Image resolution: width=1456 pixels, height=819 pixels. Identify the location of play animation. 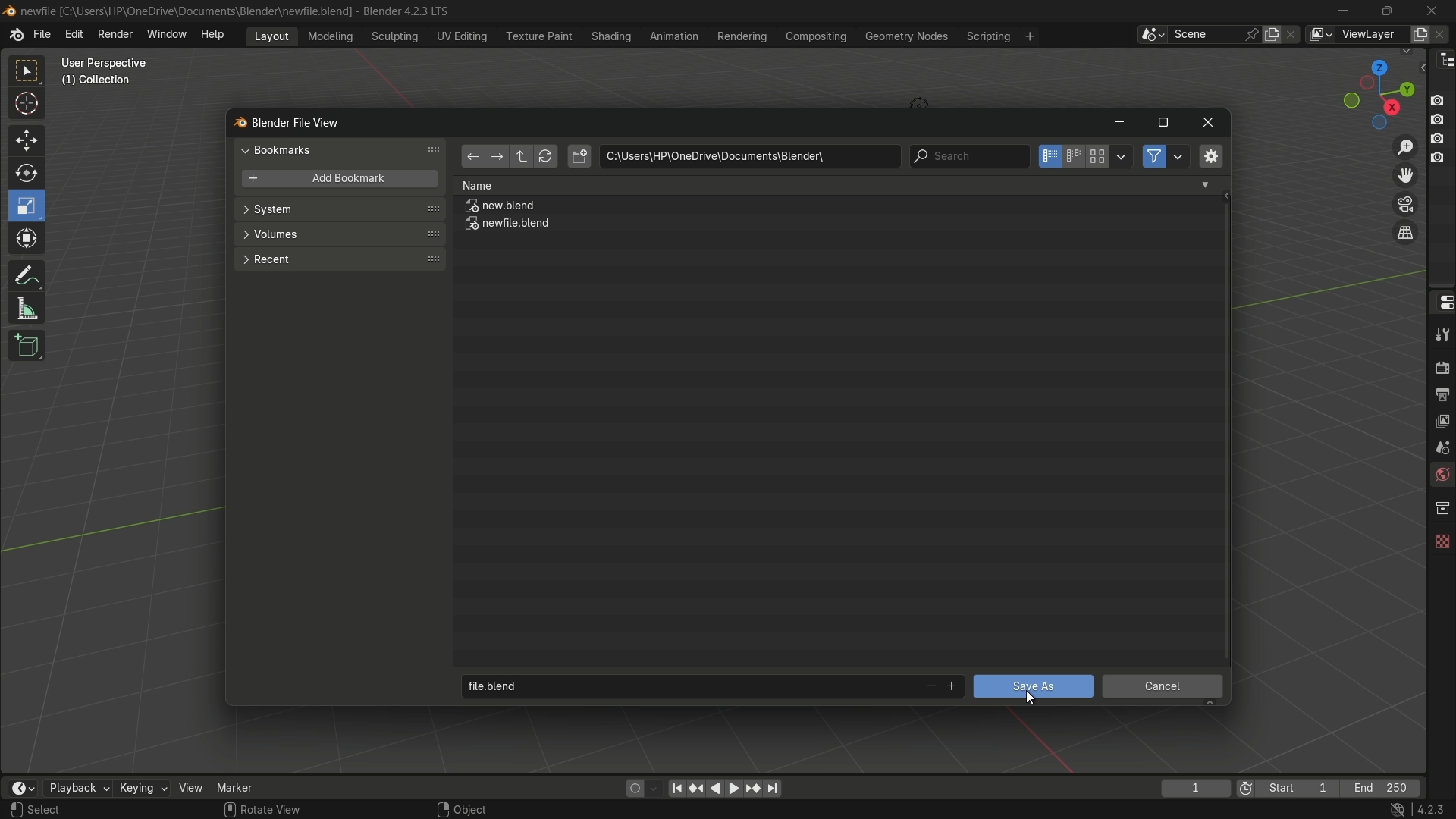
(725, 788).